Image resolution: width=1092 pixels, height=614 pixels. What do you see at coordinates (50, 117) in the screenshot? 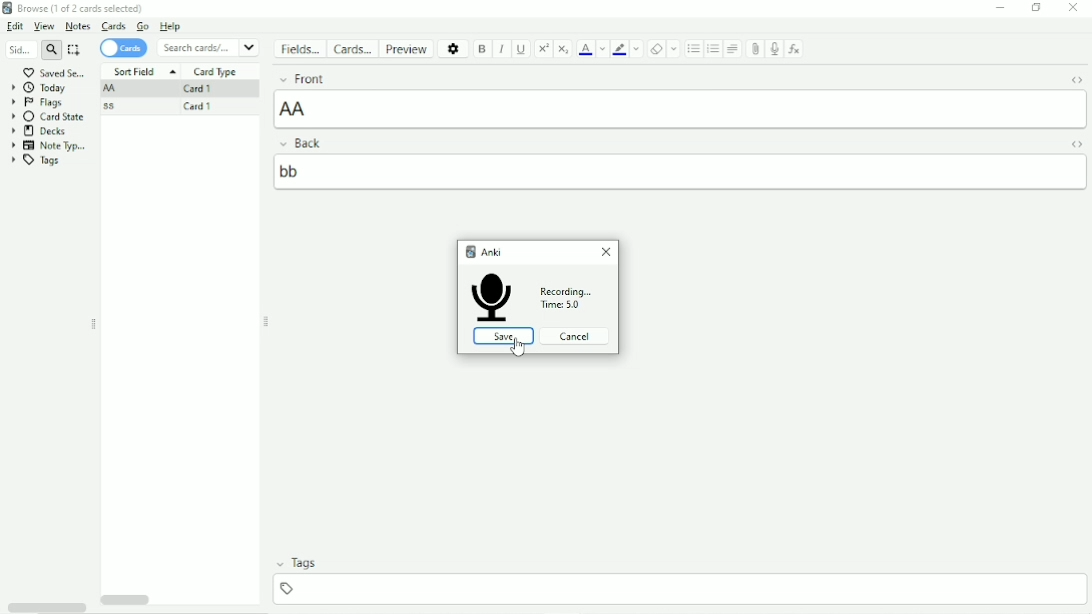
I see `Card State` at bounding box center [50, 117].